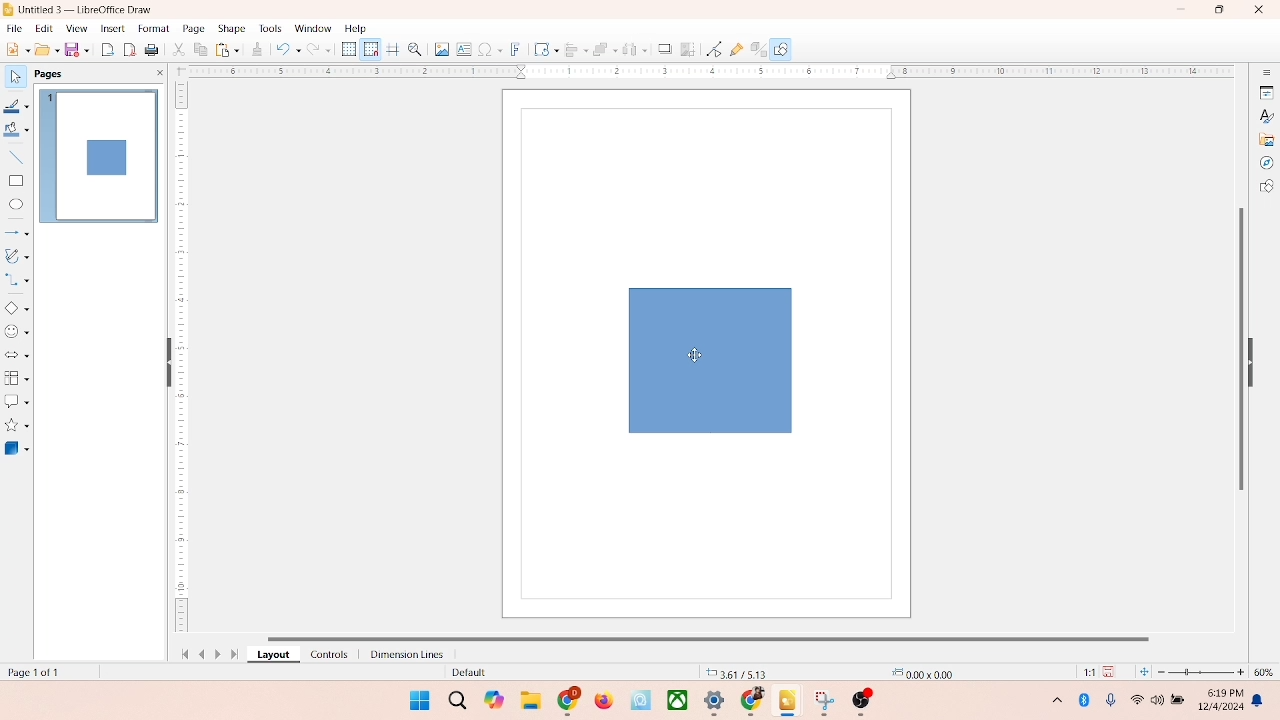 The height and width of the screenshot is (720, 1280). What do you see at coordinates (1219, 10) in the screenshot?
I see `maximize` at bounding box center [1219, 10].